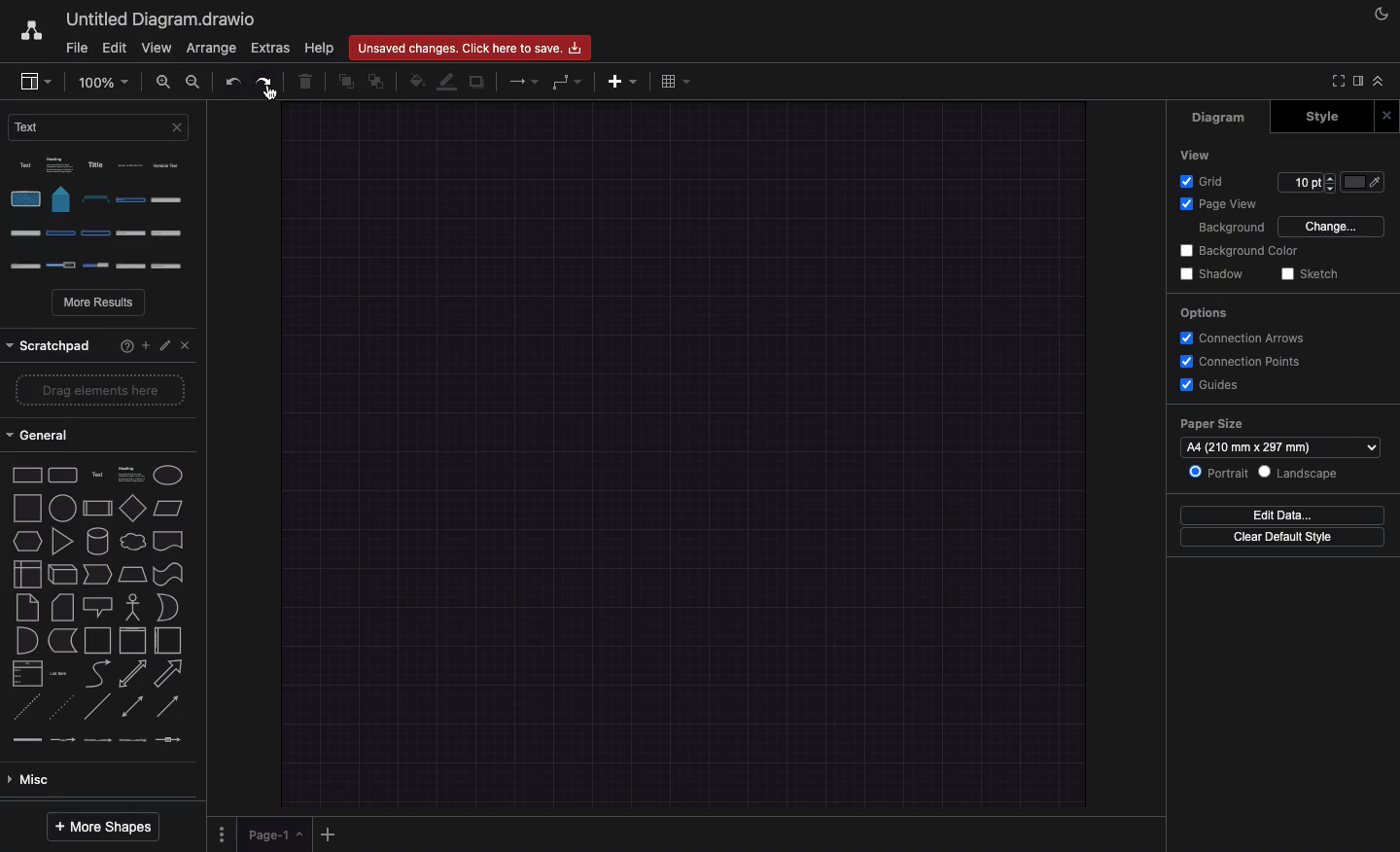 This screenshot has height=852, width=1400. What do you see at coordinates (526, 81) in the screenshot?
I see `Arrows` at bounding box center [526, 81].